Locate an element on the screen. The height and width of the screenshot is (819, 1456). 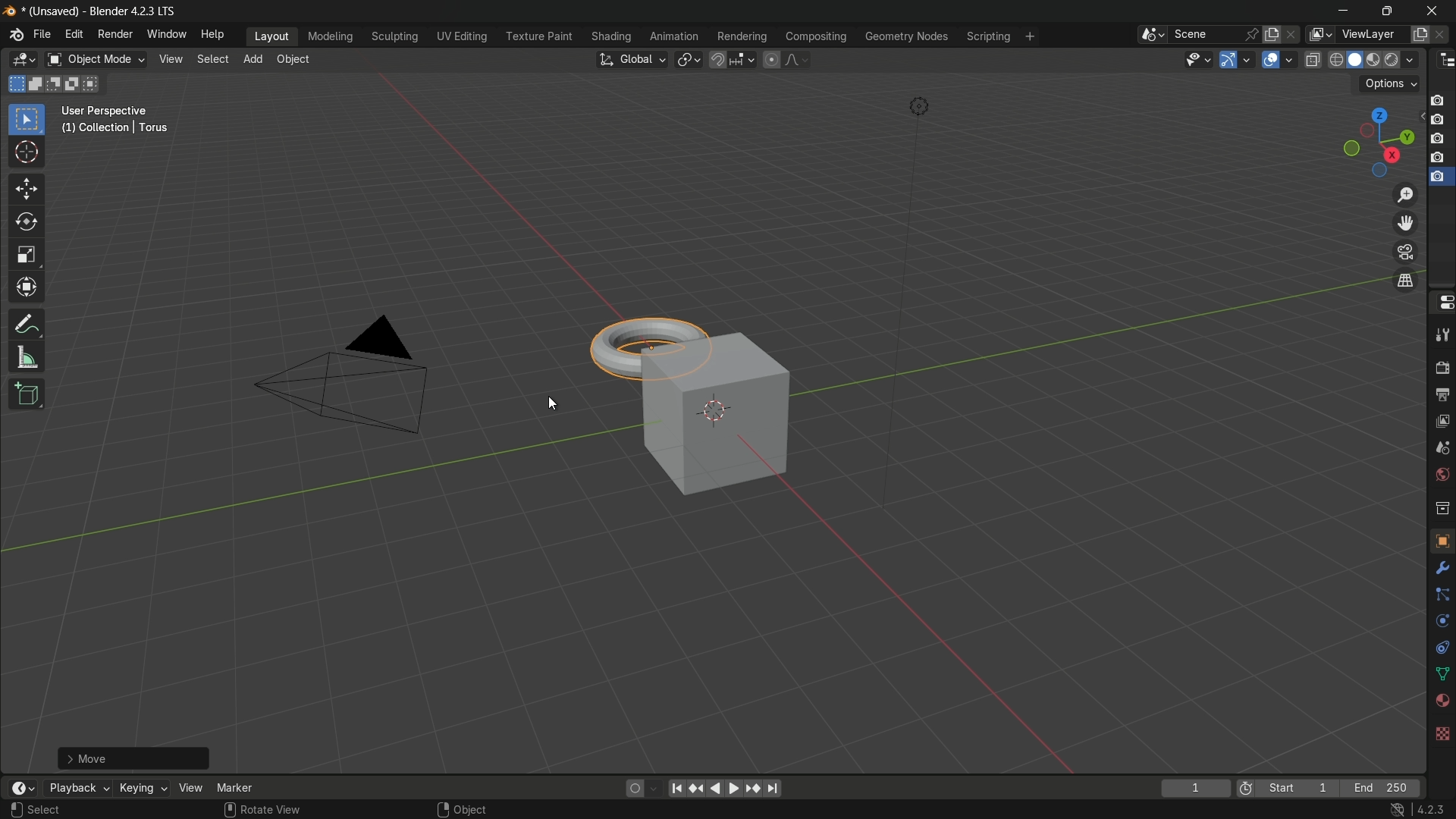
zoom in/out is located at coordinates (1405, 194).